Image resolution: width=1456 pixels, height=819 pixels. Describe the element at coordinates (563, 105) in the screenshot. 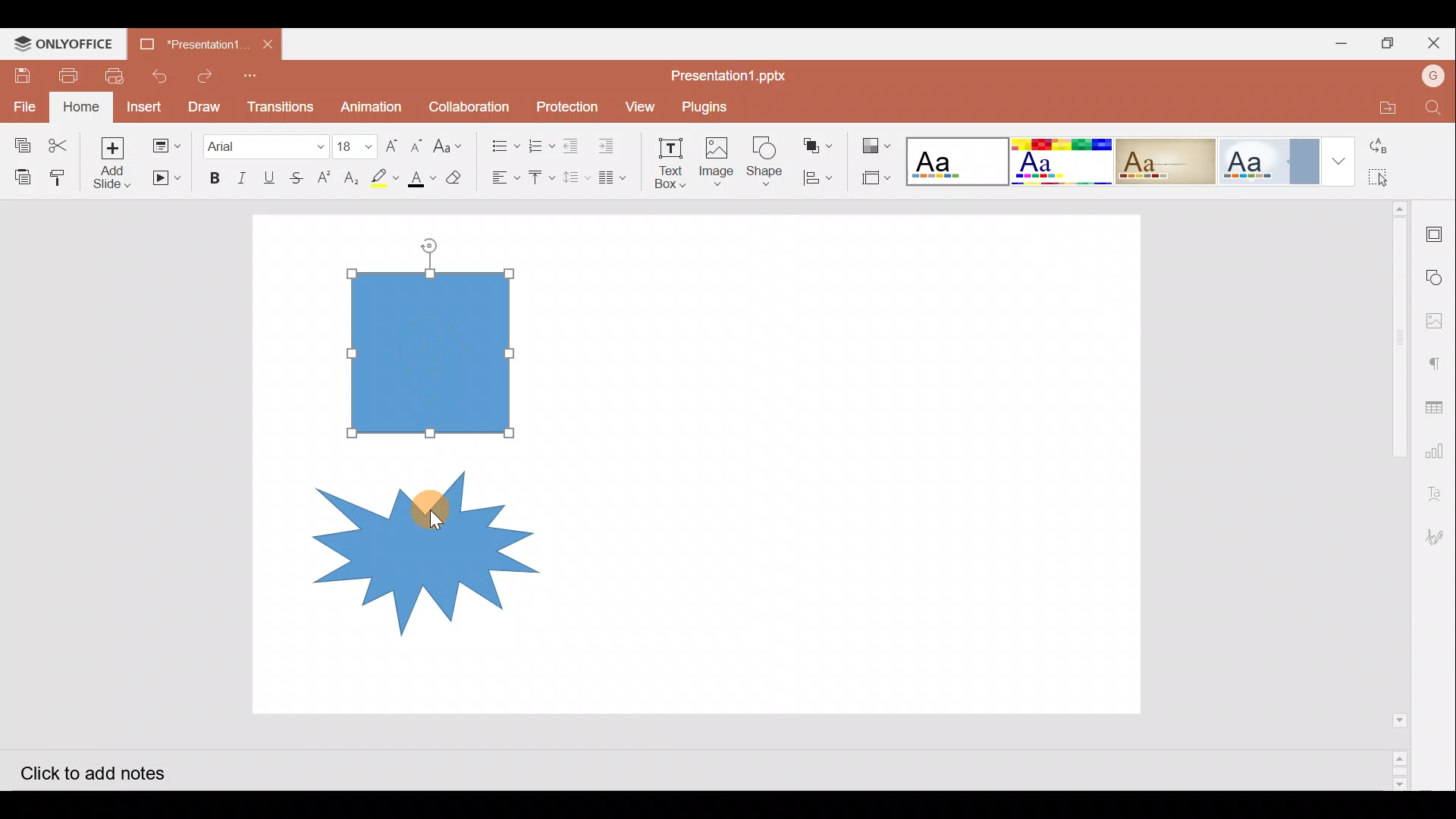

I see `Protection` at that location.